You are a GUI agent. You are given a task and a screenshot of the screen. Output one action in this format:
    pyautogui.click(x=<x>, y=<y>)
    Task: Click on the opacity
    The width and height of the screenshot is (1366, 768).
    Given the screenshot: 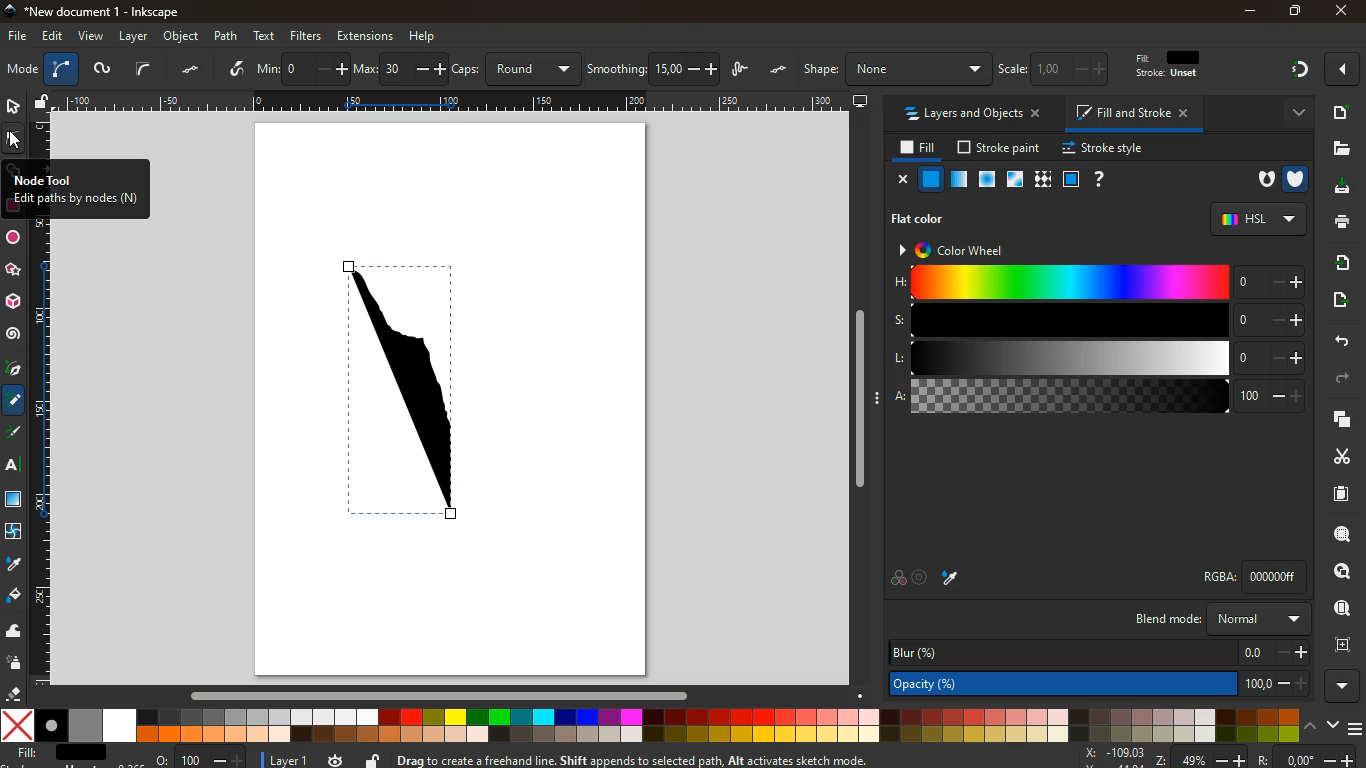 What is the action you would take?
    pyautogui.click(x=1102, y=682)
    